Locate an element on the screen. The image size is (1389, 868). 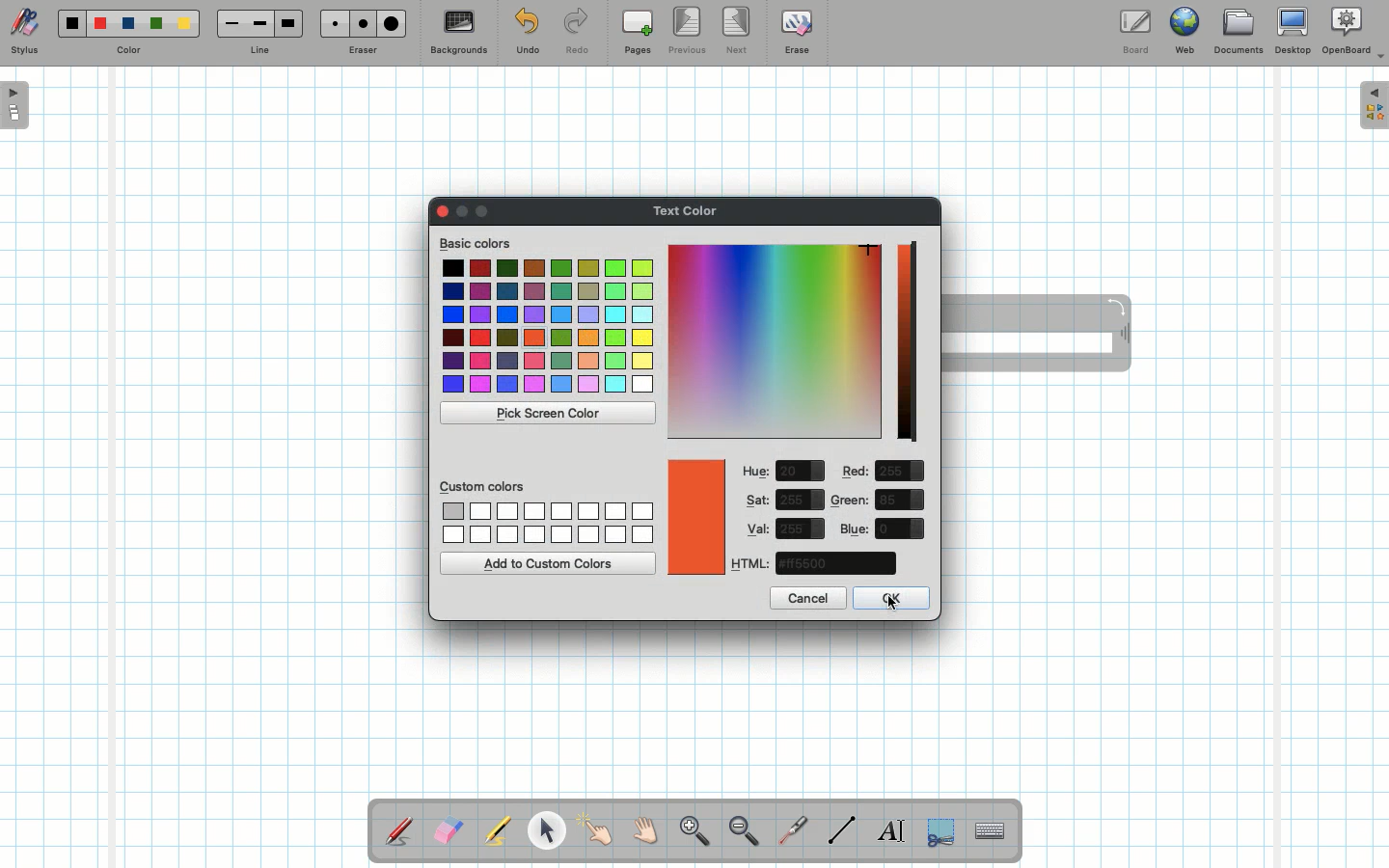
Redo is located at coordinates (577, 35).